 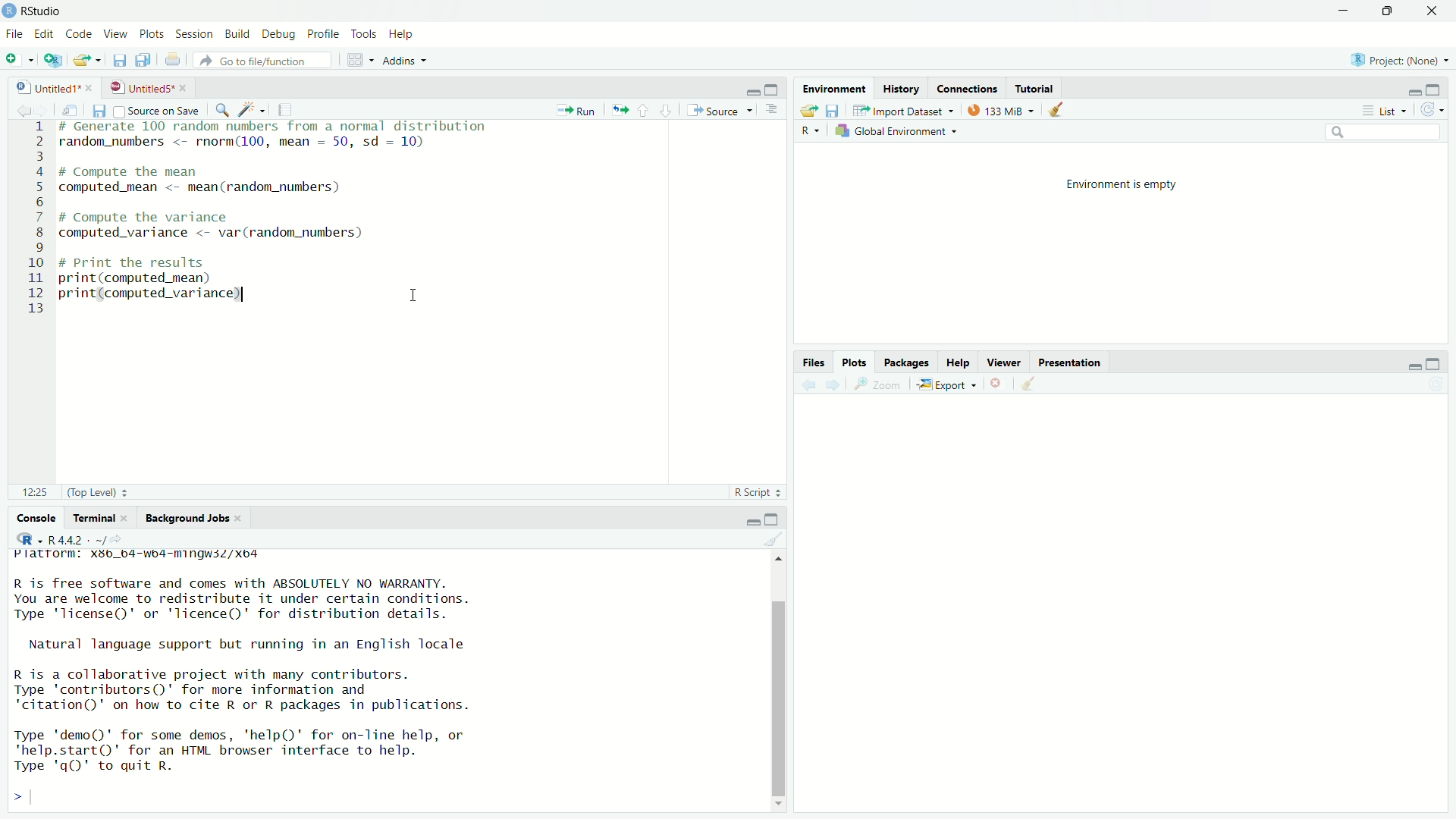 I want to click on code, so click(x=79, y=34).